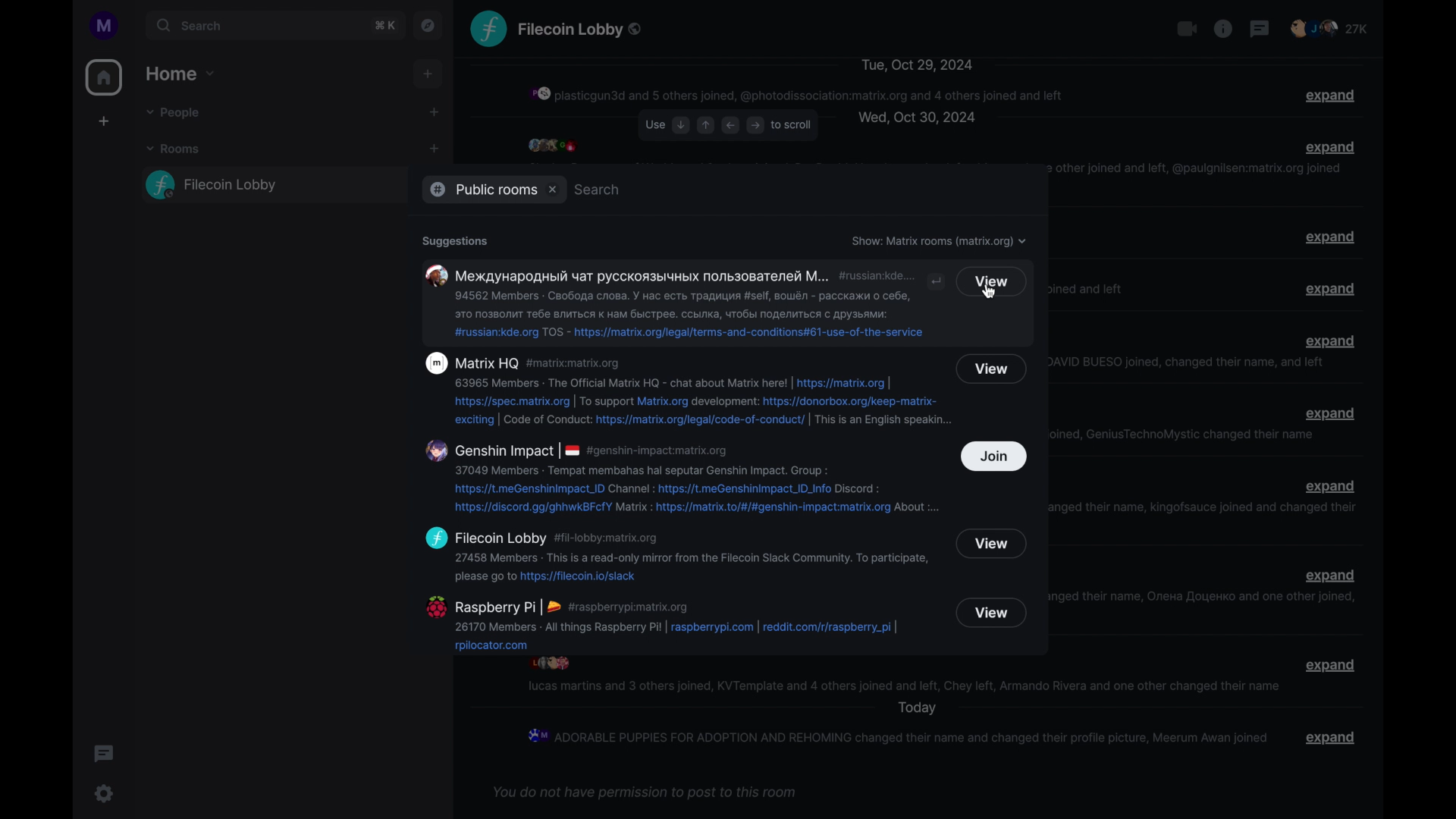  I want to click on rooms dropdown, so click(177, 149).